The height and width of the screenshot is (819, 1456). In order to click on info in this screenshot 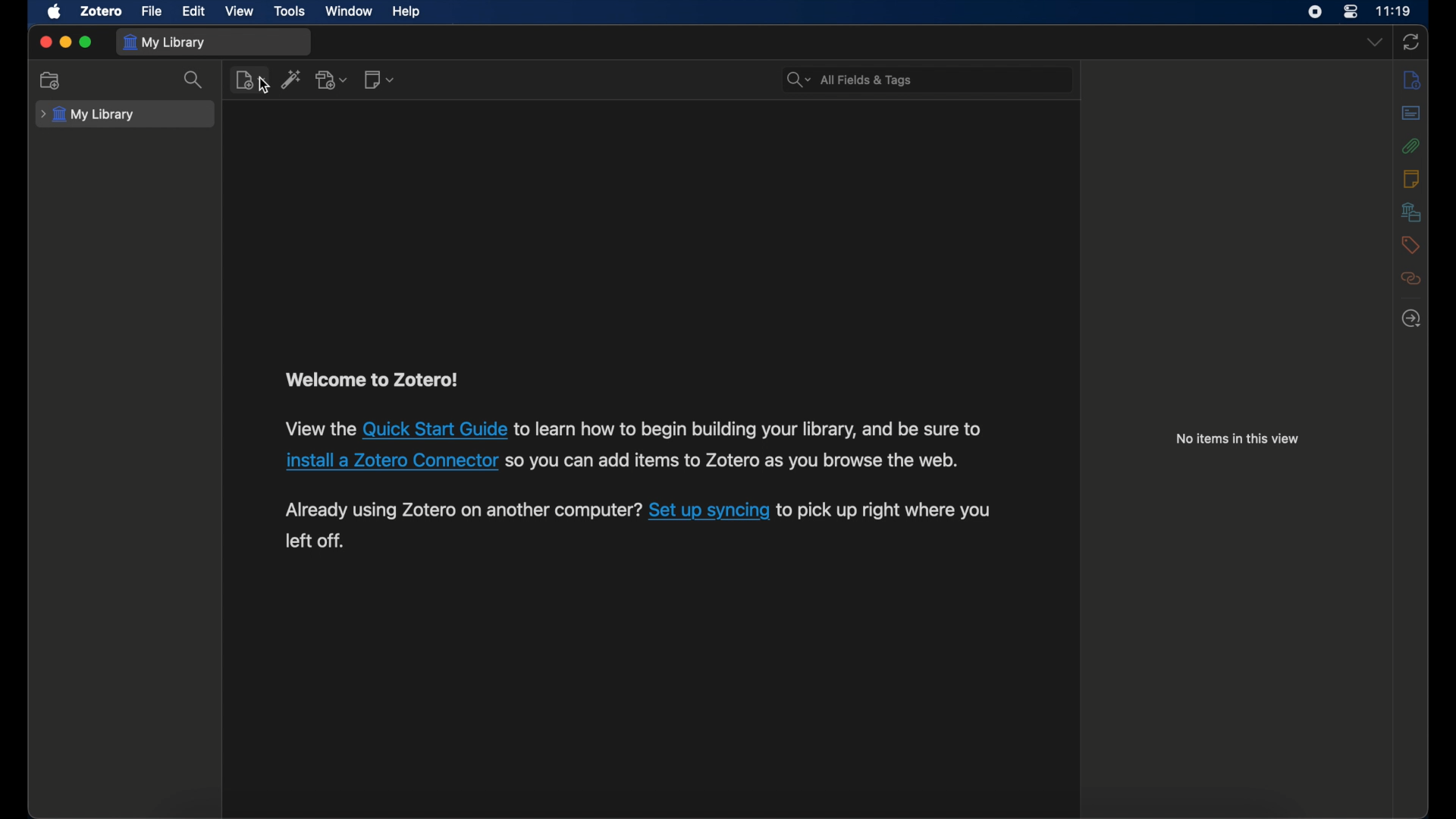, I will do `click(1411, 80)`.